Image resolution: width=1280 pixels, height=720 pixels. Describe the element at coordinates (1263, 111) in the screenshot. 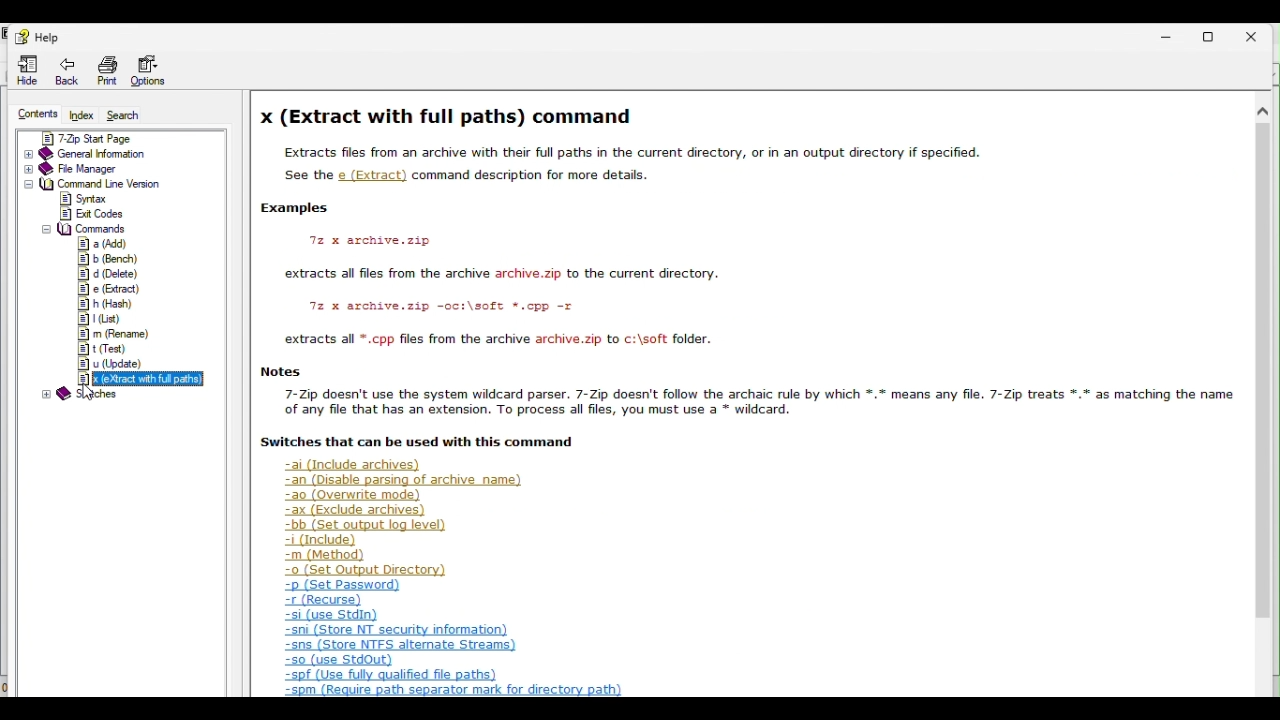

I see `move up` at that location.